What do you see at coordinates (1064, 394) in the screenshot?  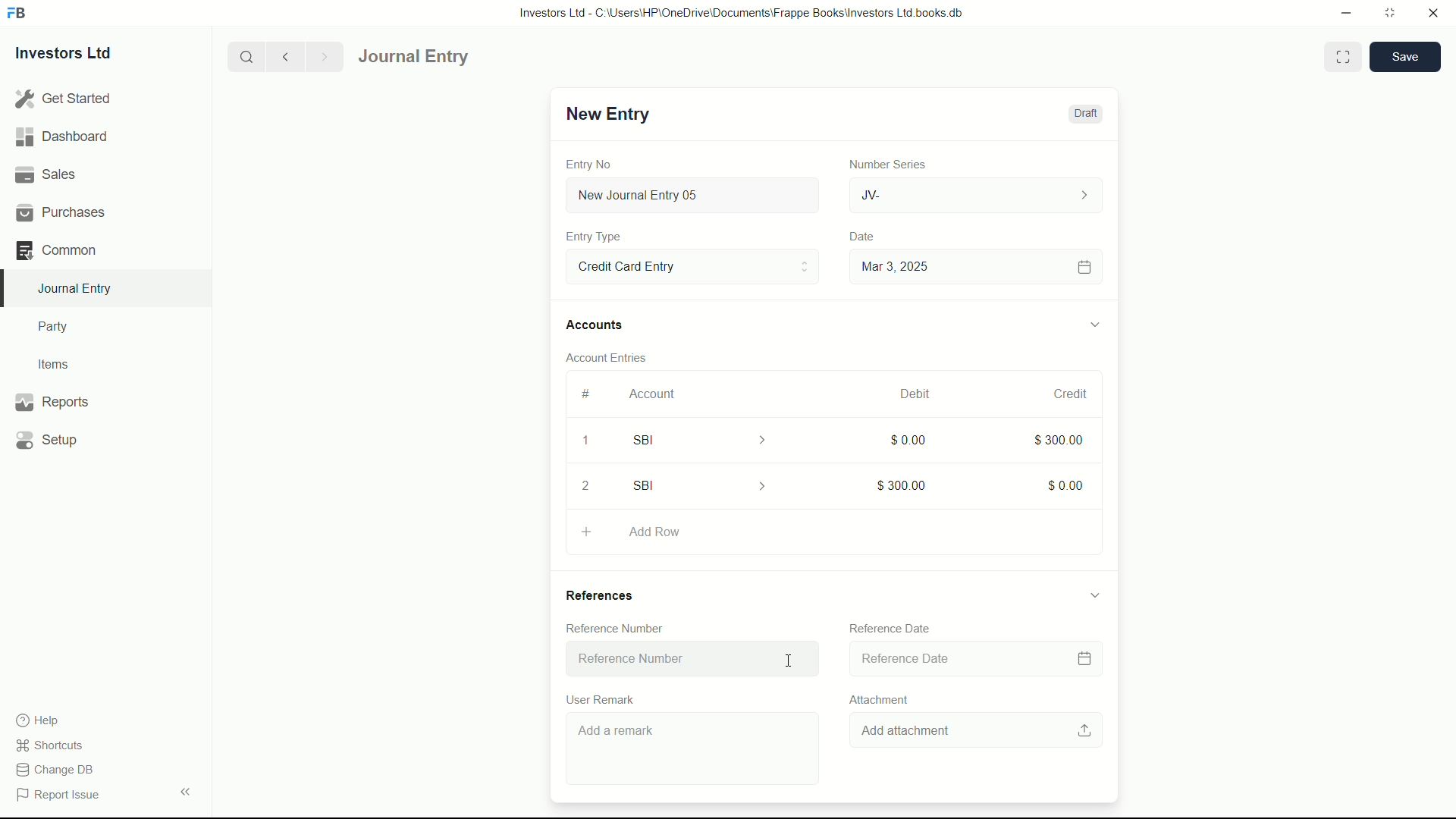 I see `Credit` at bounding box center [1064, 394].